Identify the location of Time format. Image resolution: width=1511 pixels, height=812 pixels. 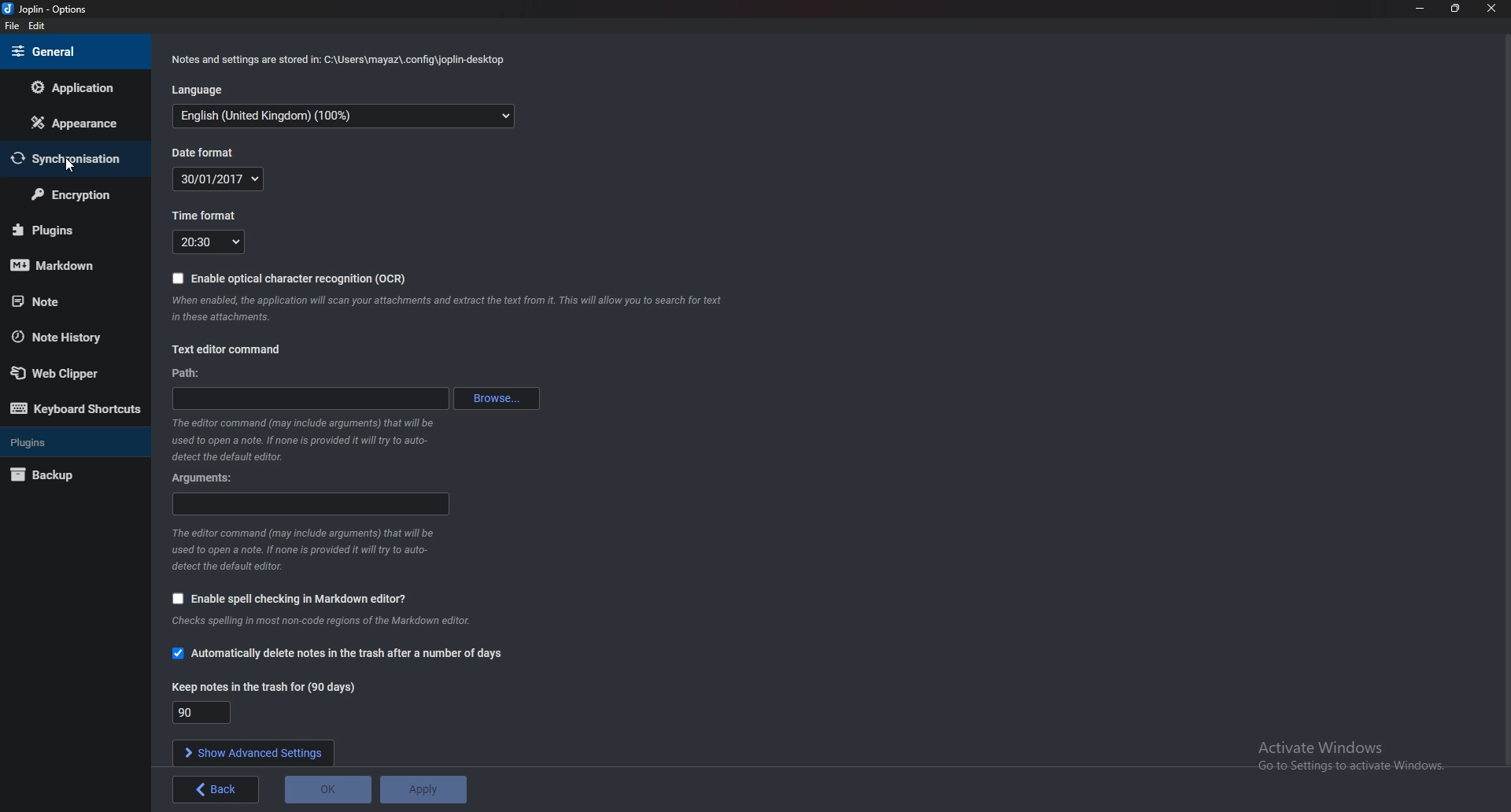
(205, 216).